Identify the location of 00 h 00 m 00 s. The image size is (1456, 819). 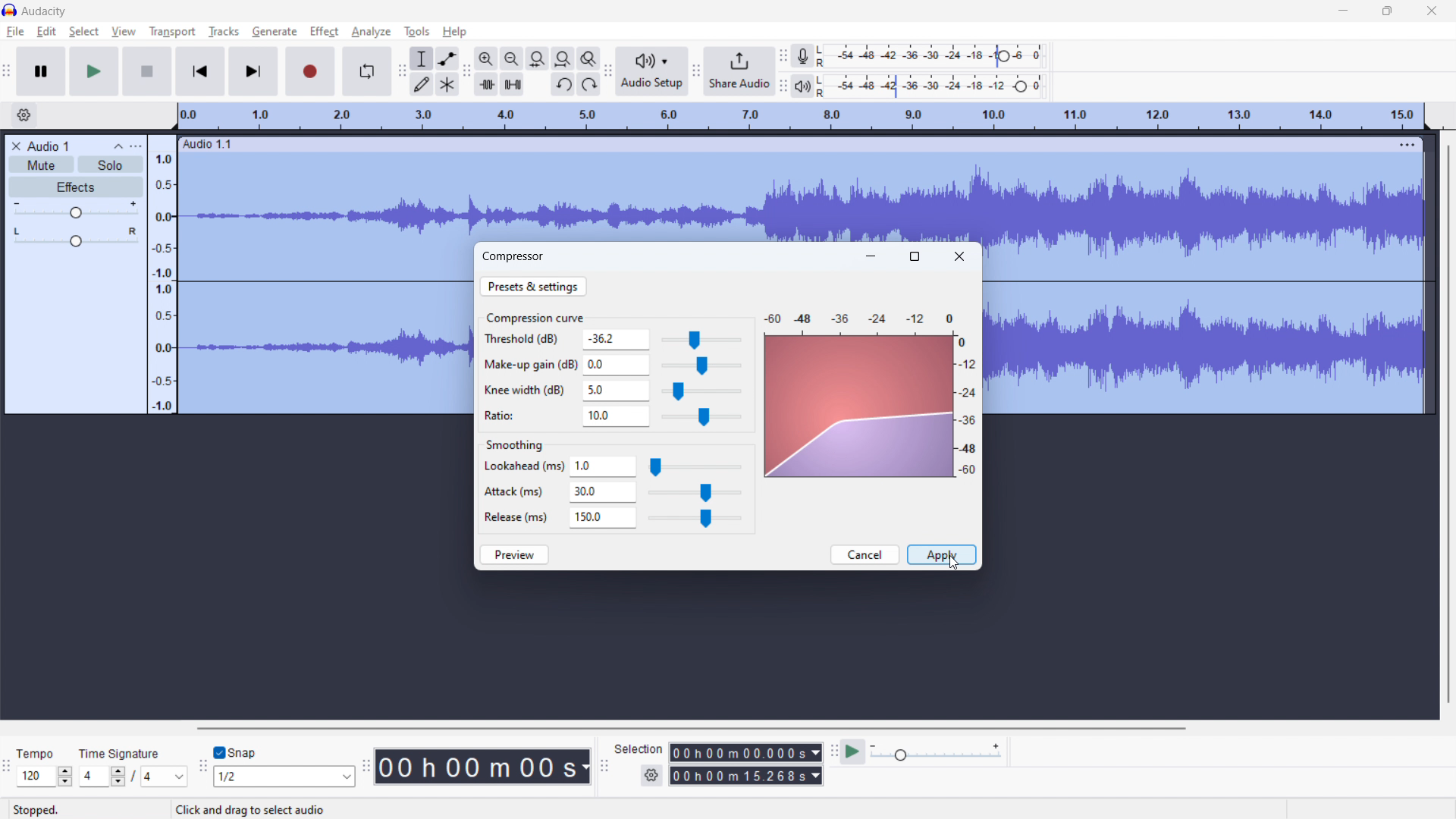
(482, 763).